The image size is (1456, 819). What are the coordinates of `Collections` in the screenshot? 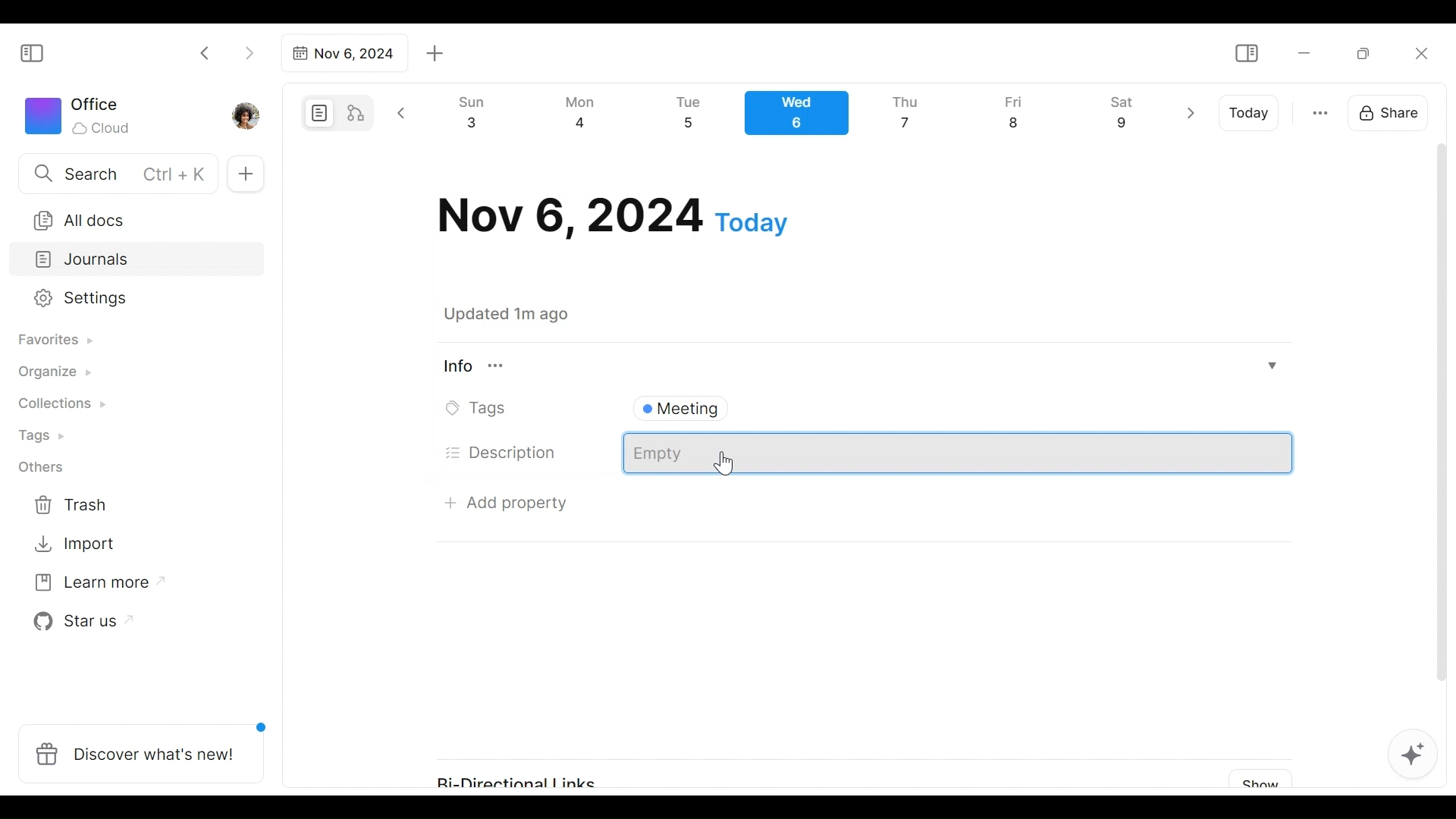 It's located at (60, 406).